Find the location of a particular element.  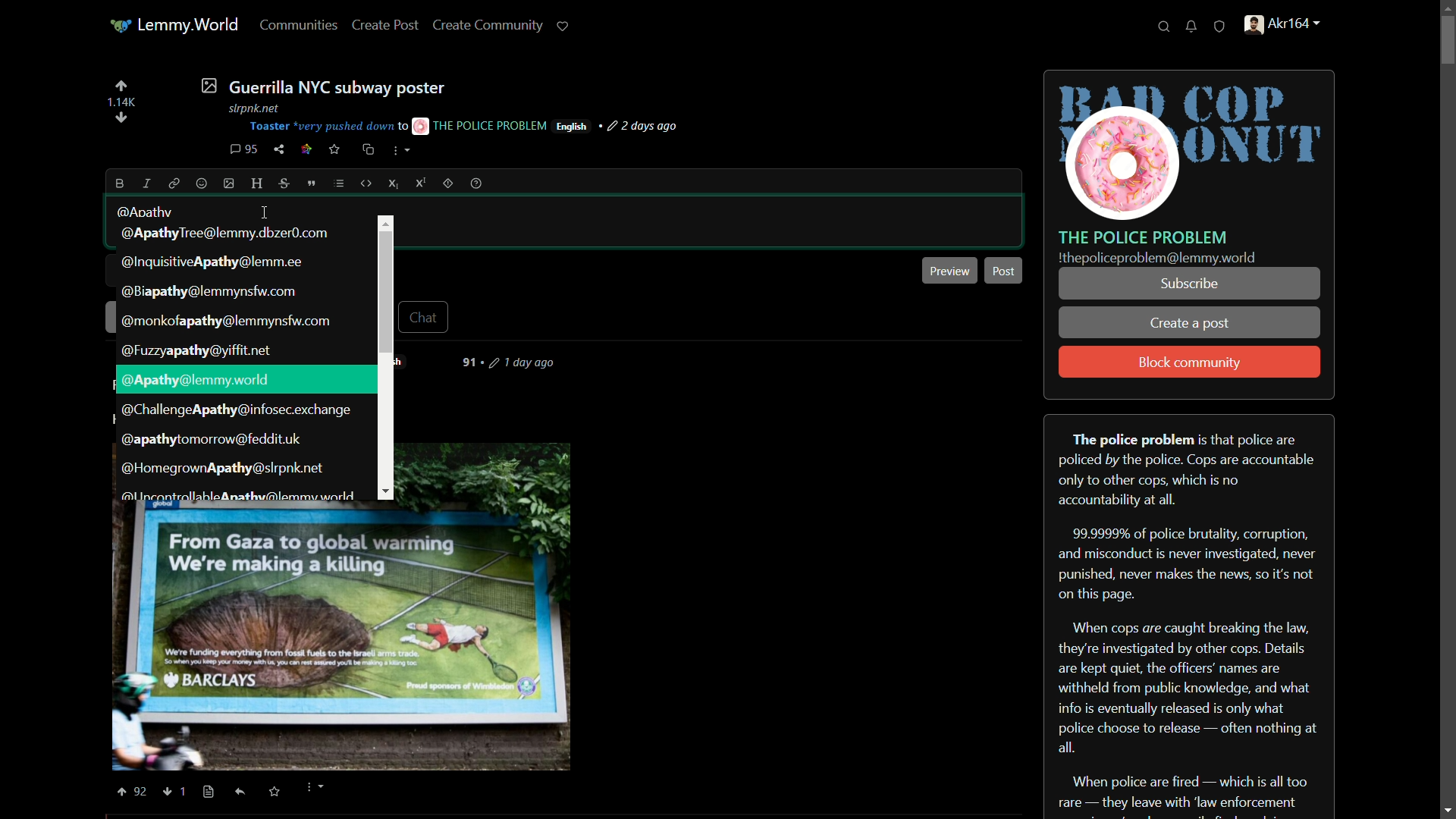

lemmy world  is located at coordinates (176, 26).